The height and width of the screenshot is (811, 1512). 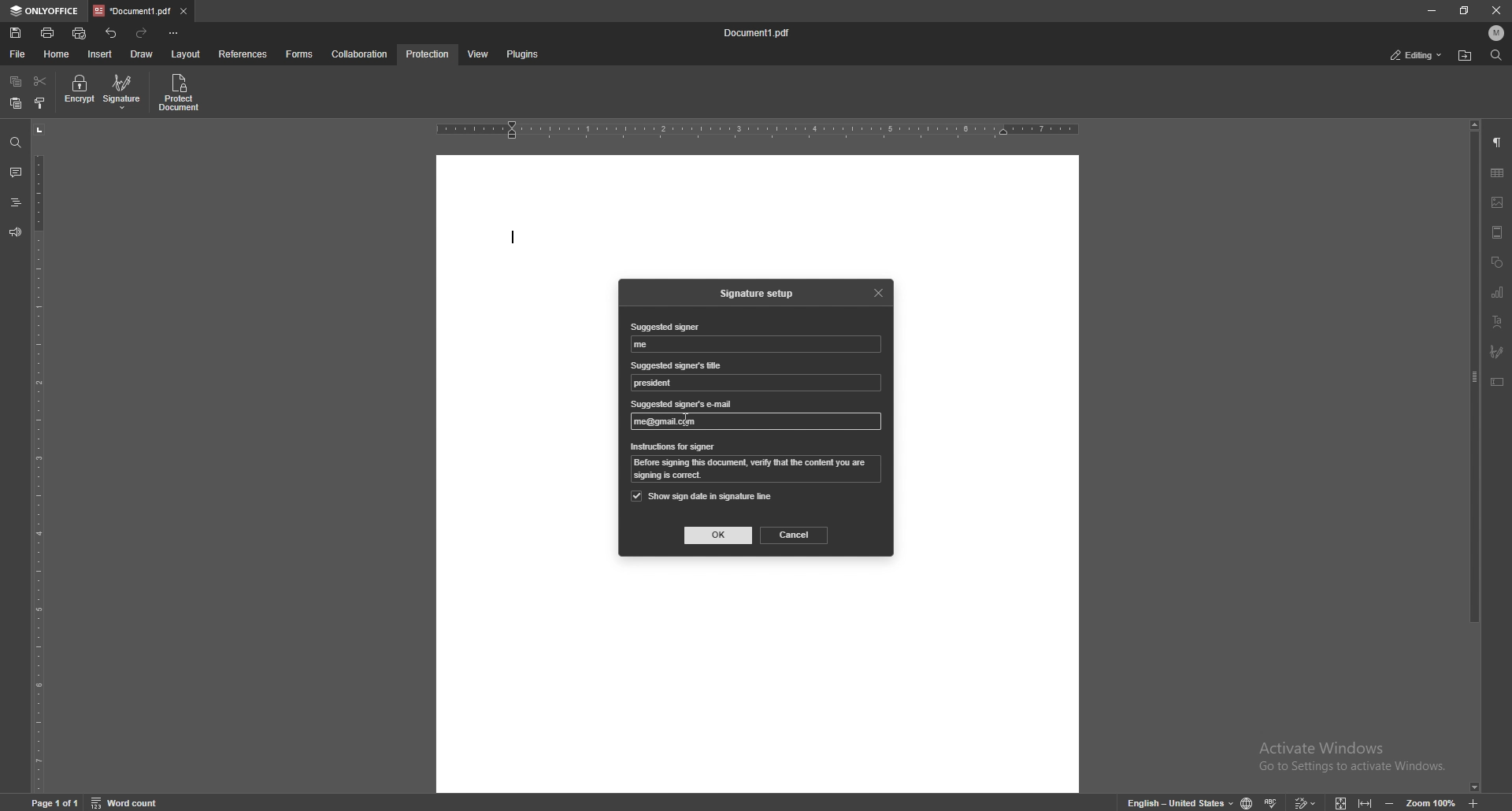 I want to click on protection, so click(x=428, y=54).